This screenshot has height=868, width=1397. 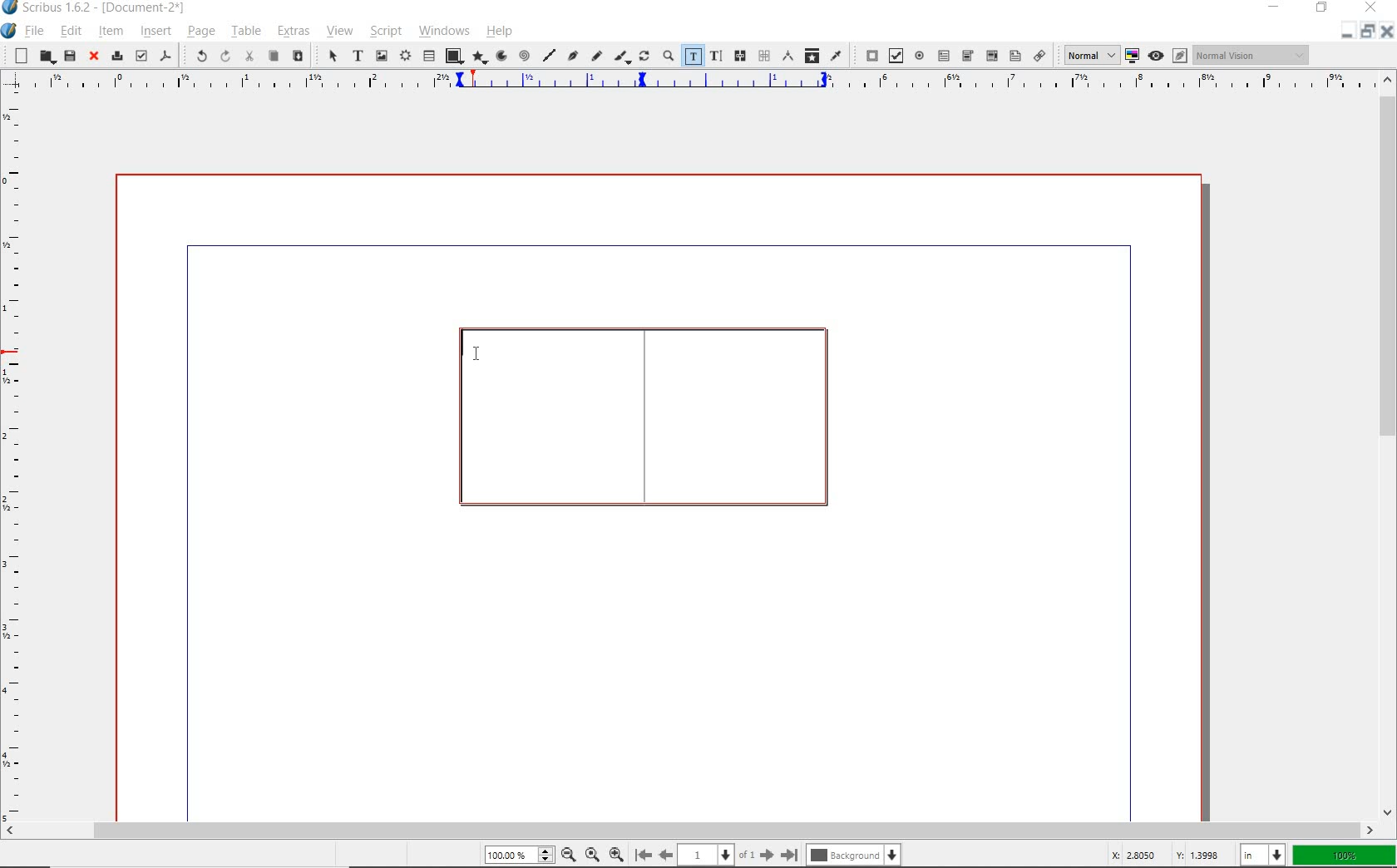 I want to click on select unit, so click(x=1261, y=854).